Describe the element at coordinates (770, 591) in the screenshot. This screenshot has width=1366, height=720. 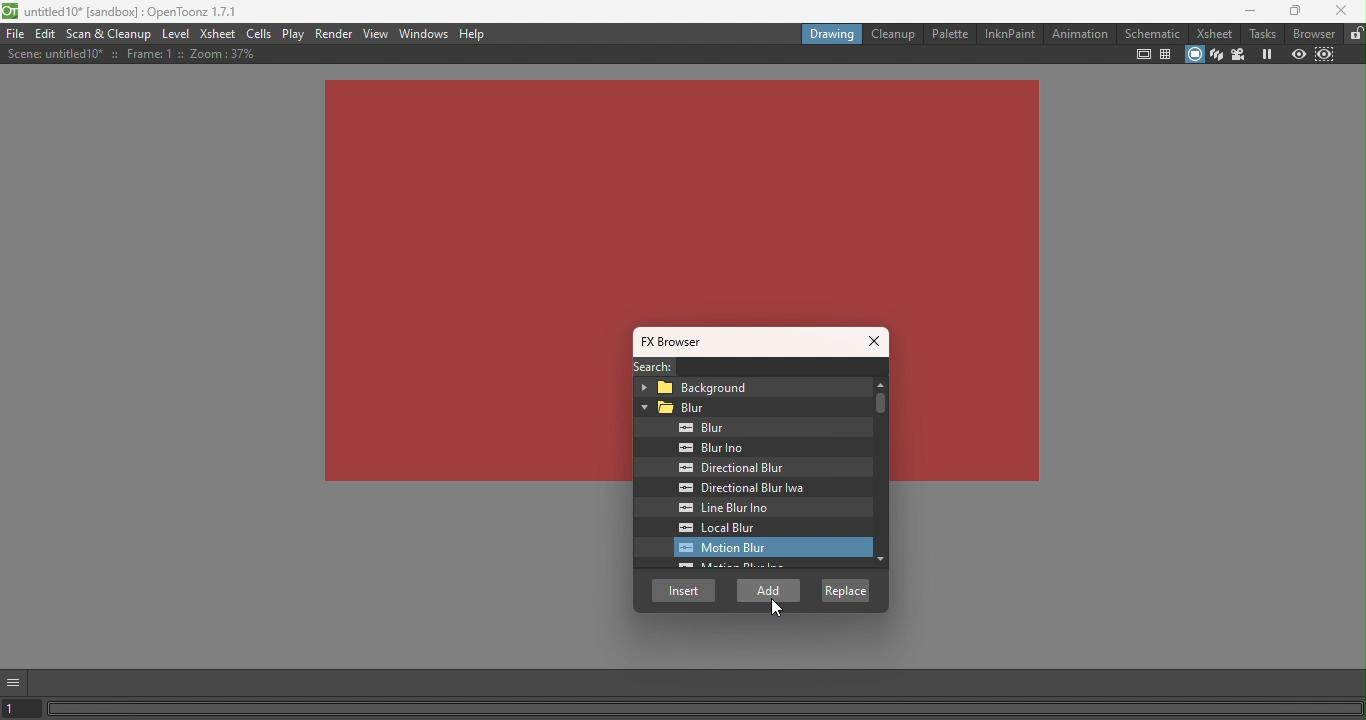
I see `add` at that location.